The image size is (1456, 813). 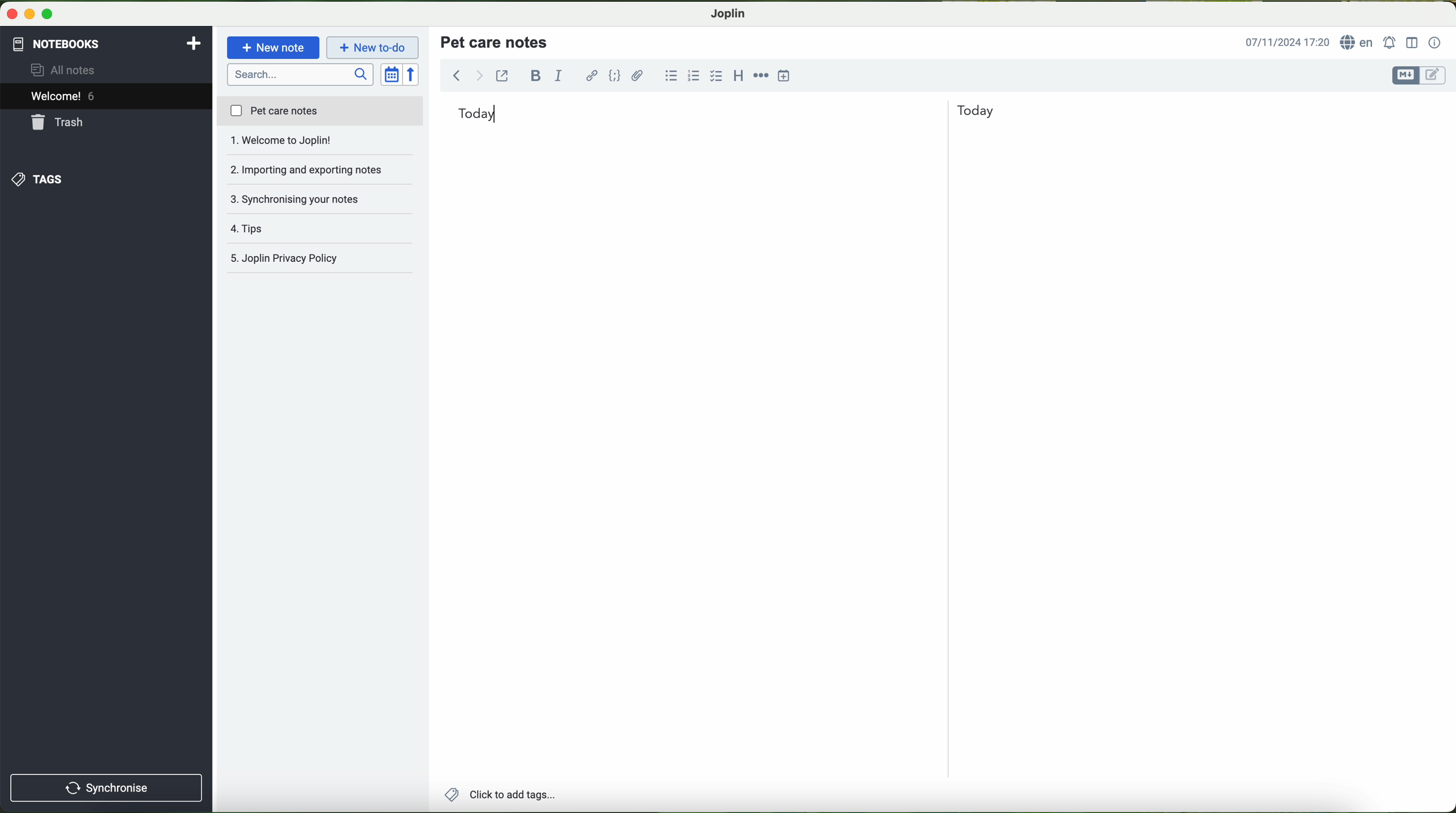 What do you see at coordinates (717, 76) in the screenshot?
I see `checkbox` at bounding box center [717, 76].